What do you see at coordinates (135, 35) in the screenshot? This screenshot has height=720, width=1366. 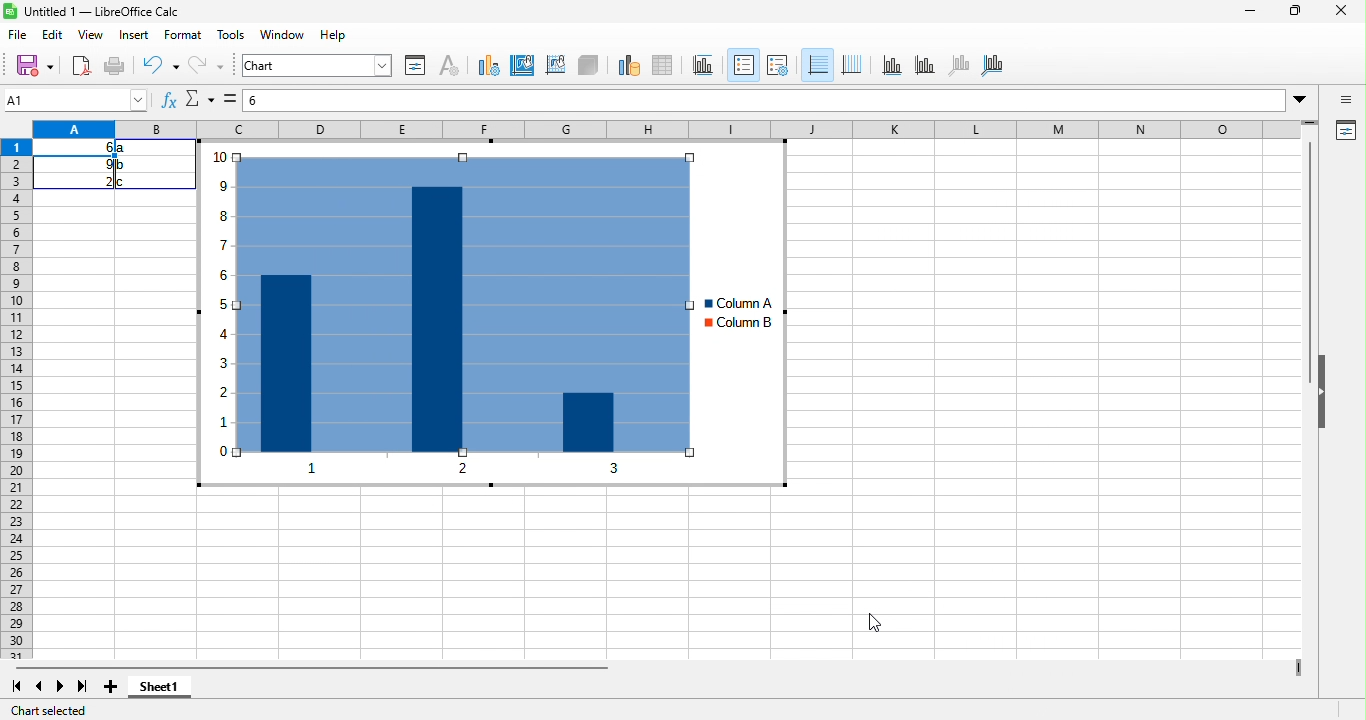 I see `insert` at bounding box center [135, 35].